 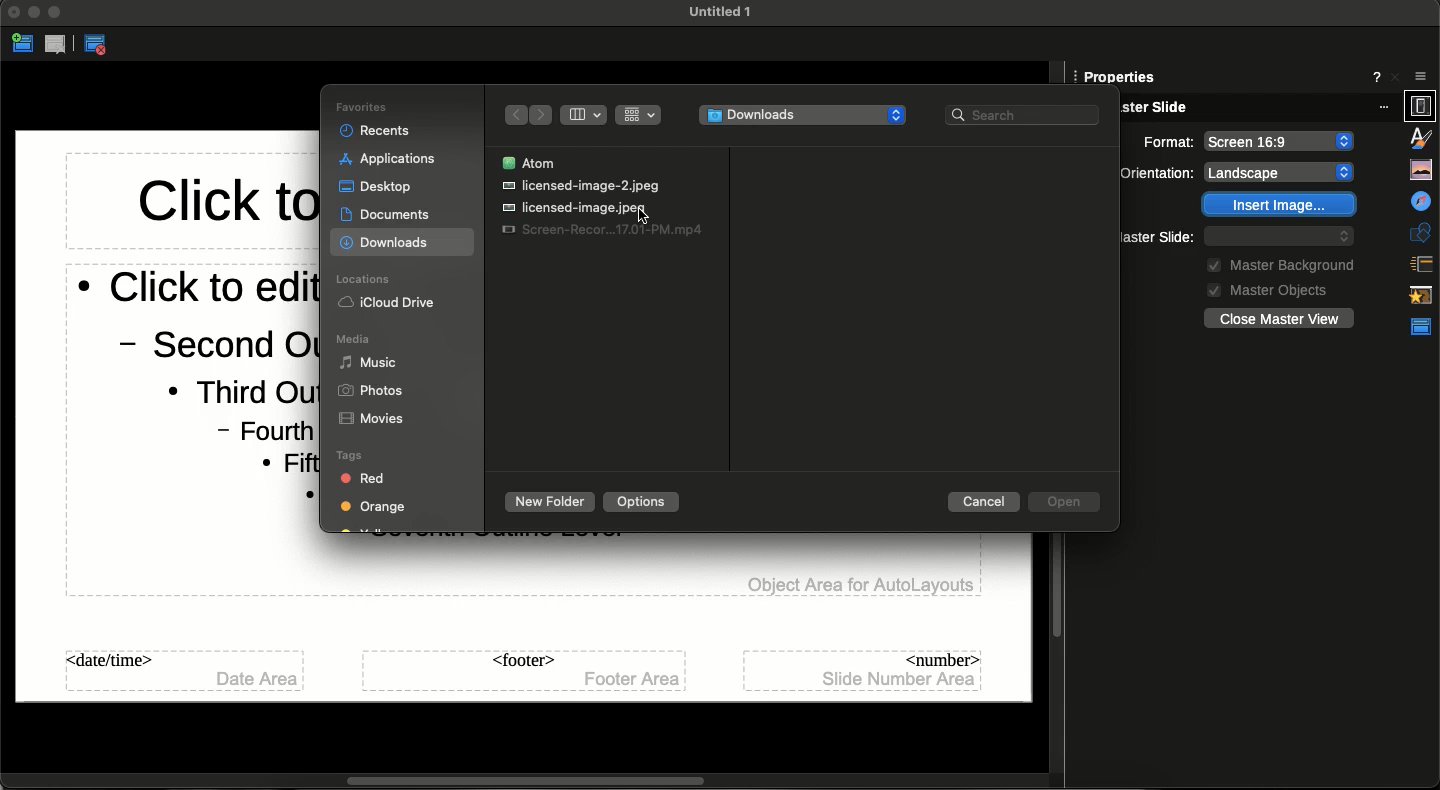 What do you see at coordinates (384, 245) in the screenshot?
I see `Downloads` at bounding box center [384, 245].